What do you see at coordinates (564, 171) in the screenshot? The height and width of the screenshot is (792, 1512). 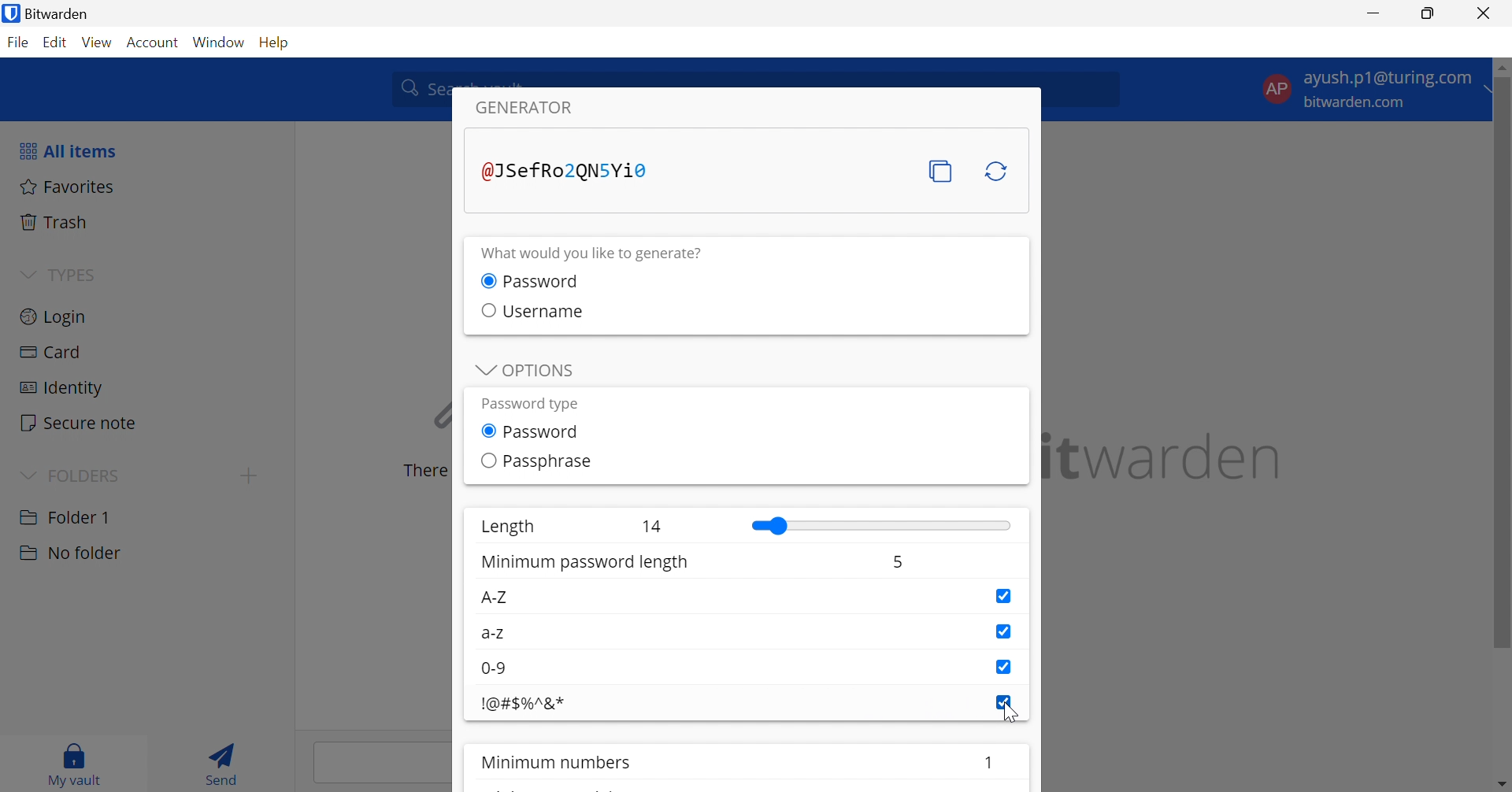 I see `@JSefRo2QN5Yi0` at bounding box center [564, 171].